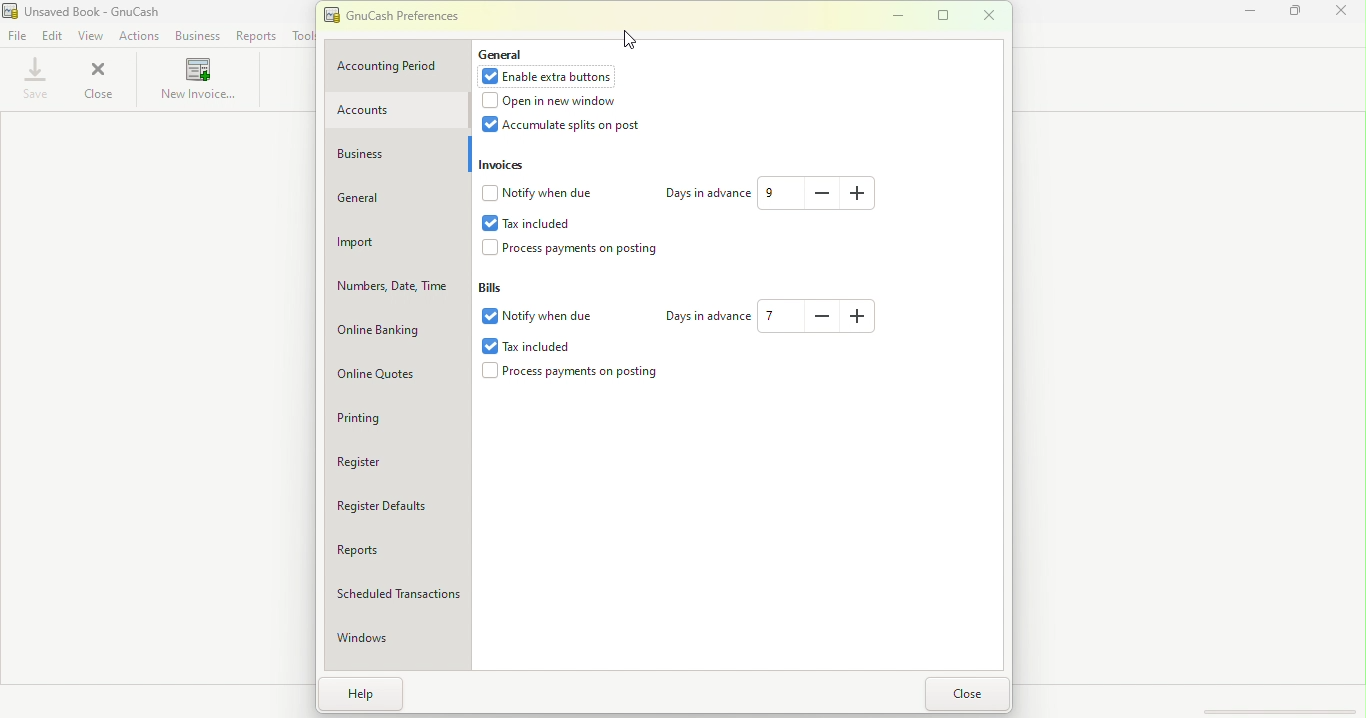 The height and width of the screenshot is (718, 1366). I want to click on Invoices, so click(507, 166).